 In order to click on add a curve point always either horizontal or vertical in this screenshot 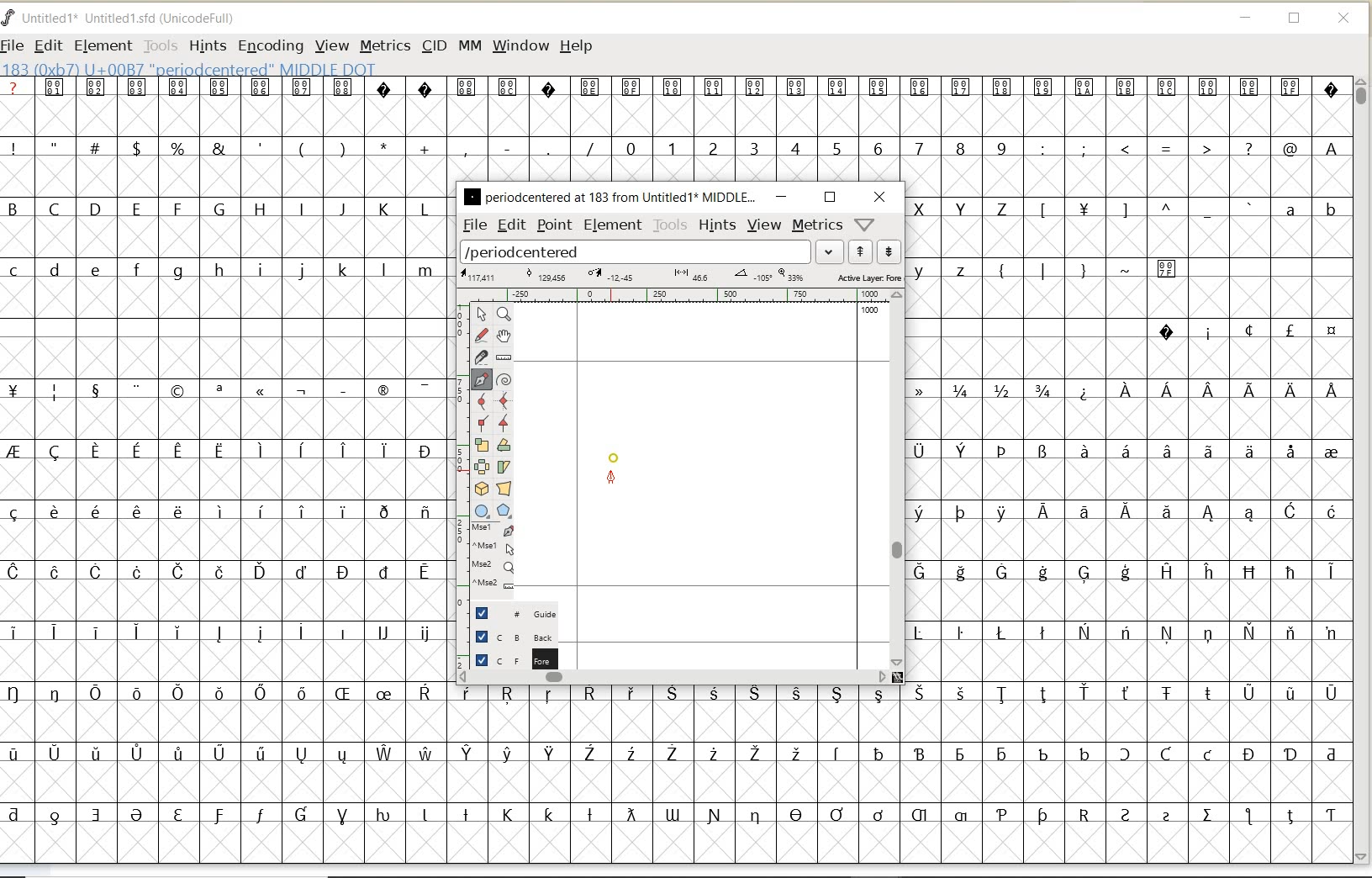, I will do `click(504, 399)`.